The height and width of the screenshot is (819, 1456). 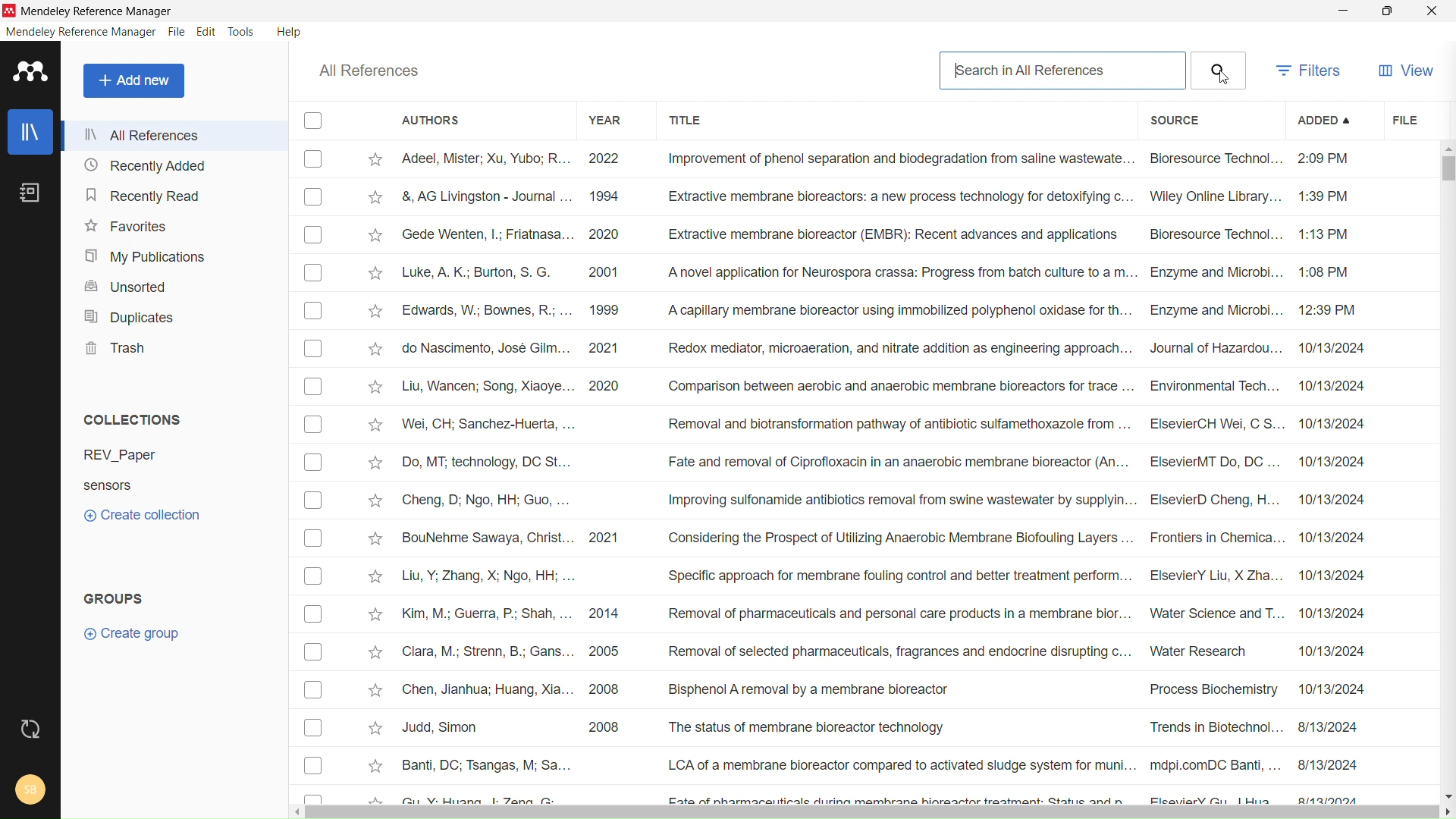 I want to click on Add to favorites, so click(x=372, y=654).